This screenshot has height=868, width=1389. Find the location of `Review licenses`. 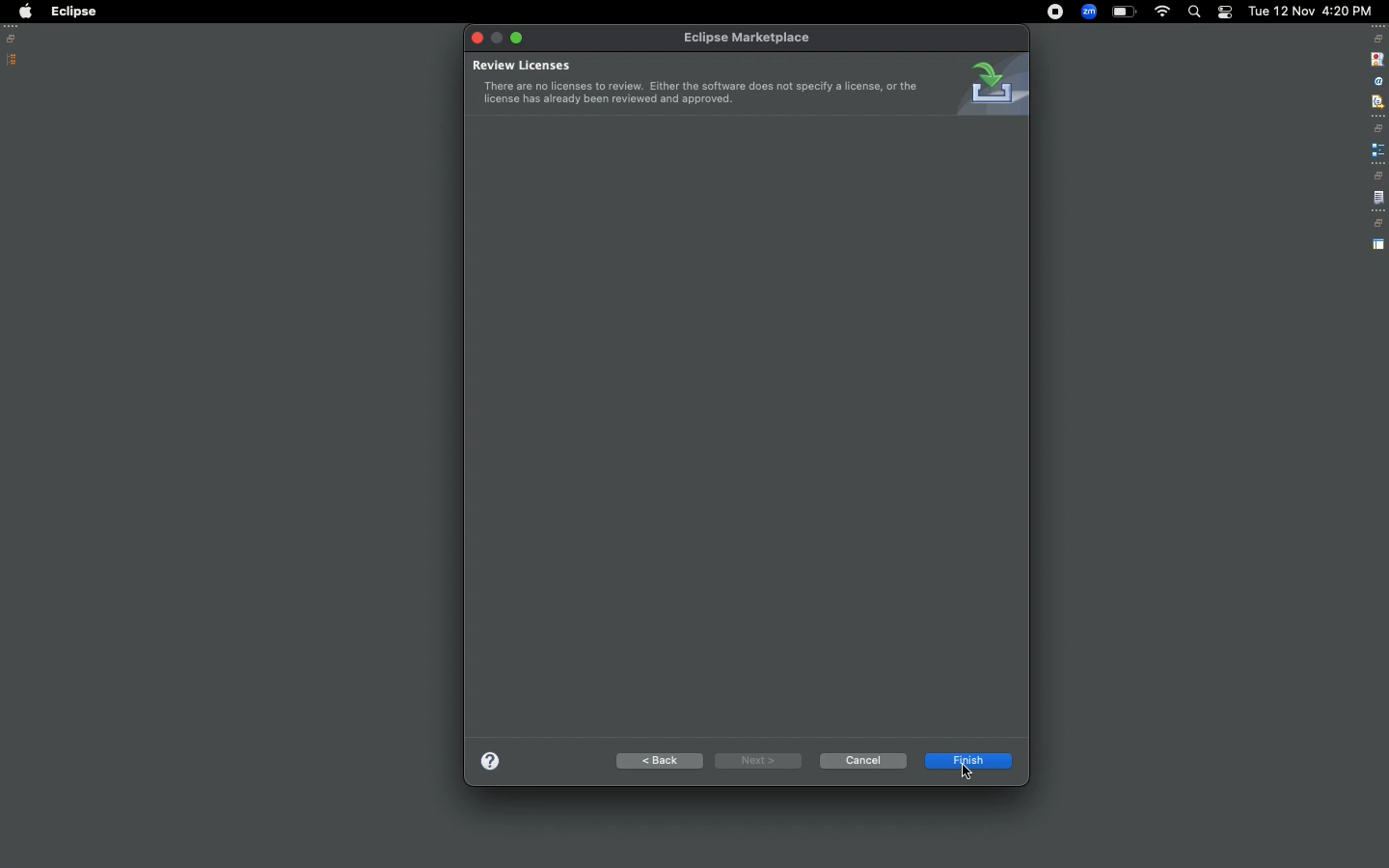

Review licenses is located at coordinates (695, 82).